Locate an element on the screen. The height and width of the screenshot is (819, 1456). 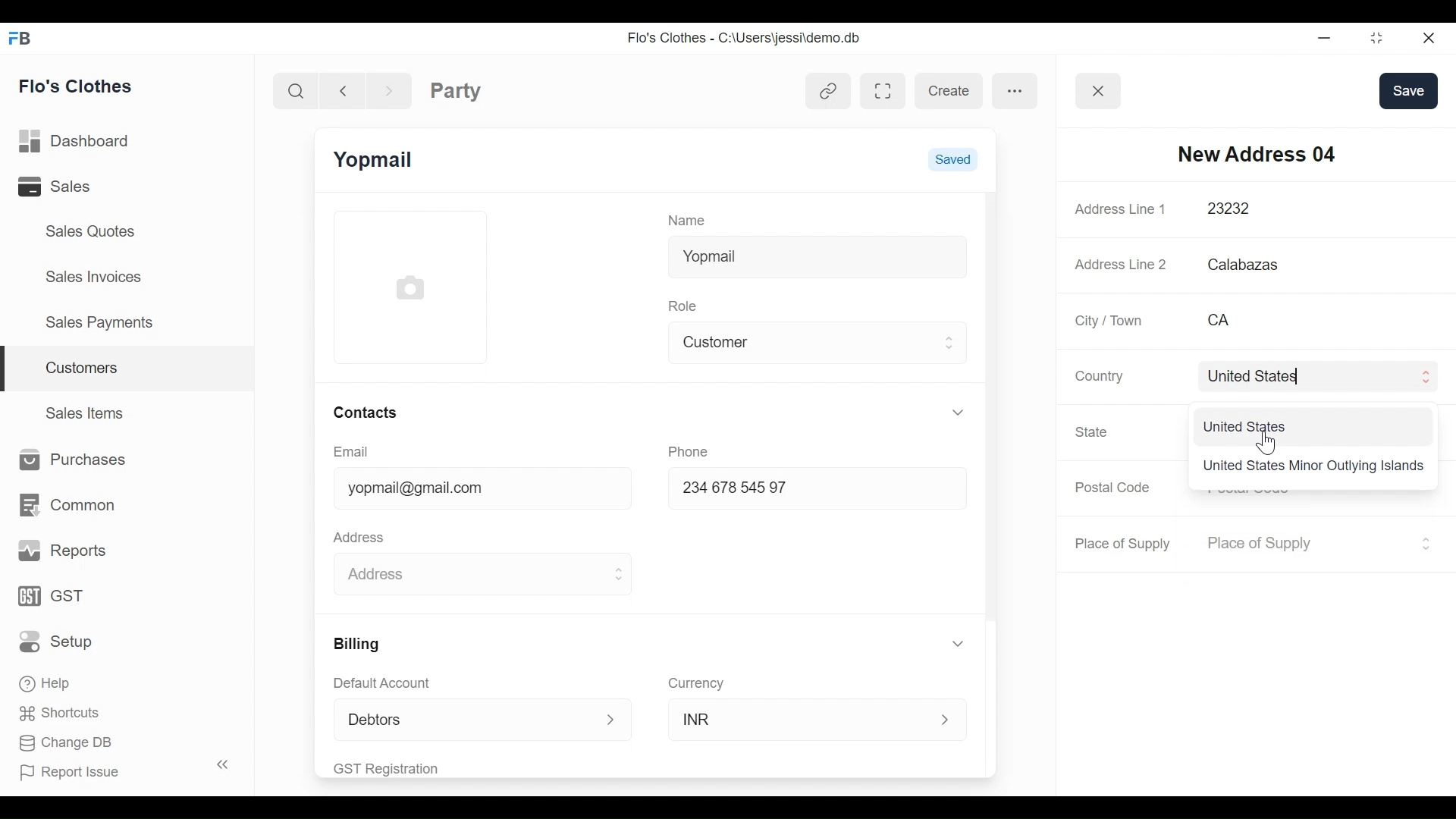
Country is located at coordinates (1097, 375).